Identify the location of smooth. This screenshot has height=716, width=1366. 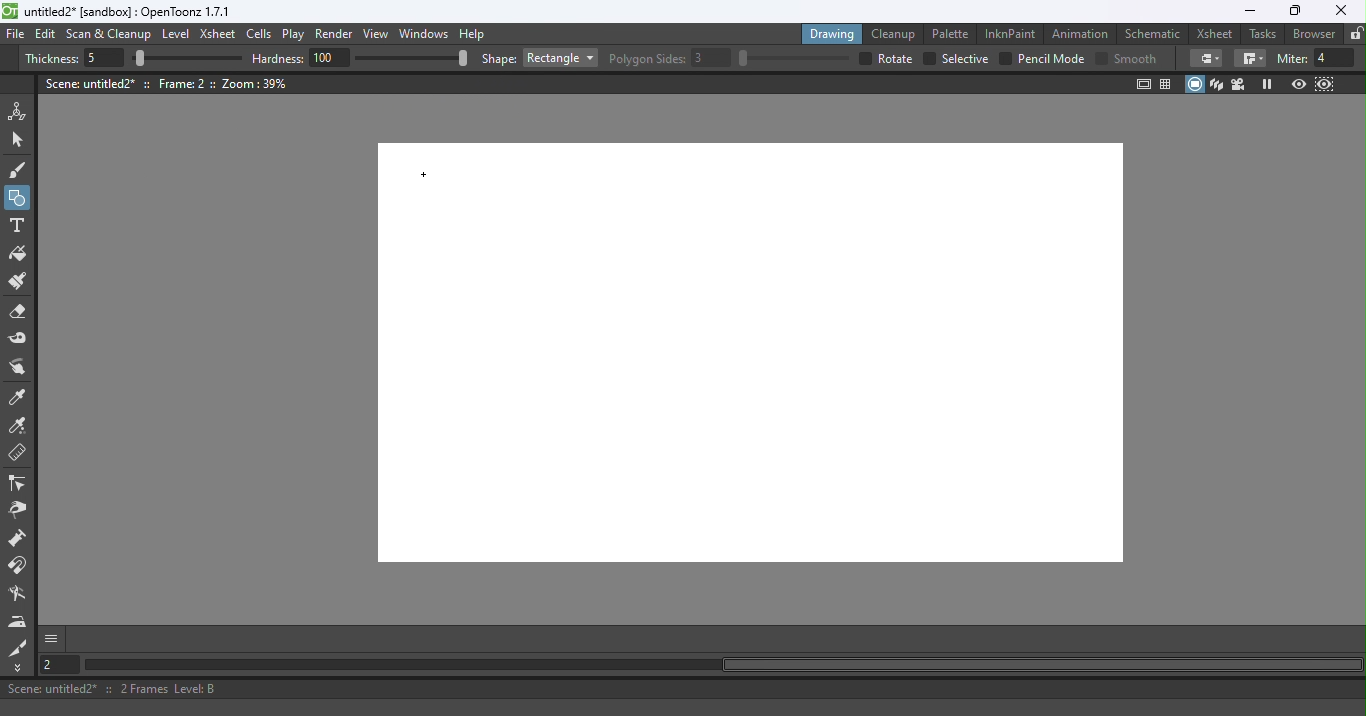
(1138, 58).